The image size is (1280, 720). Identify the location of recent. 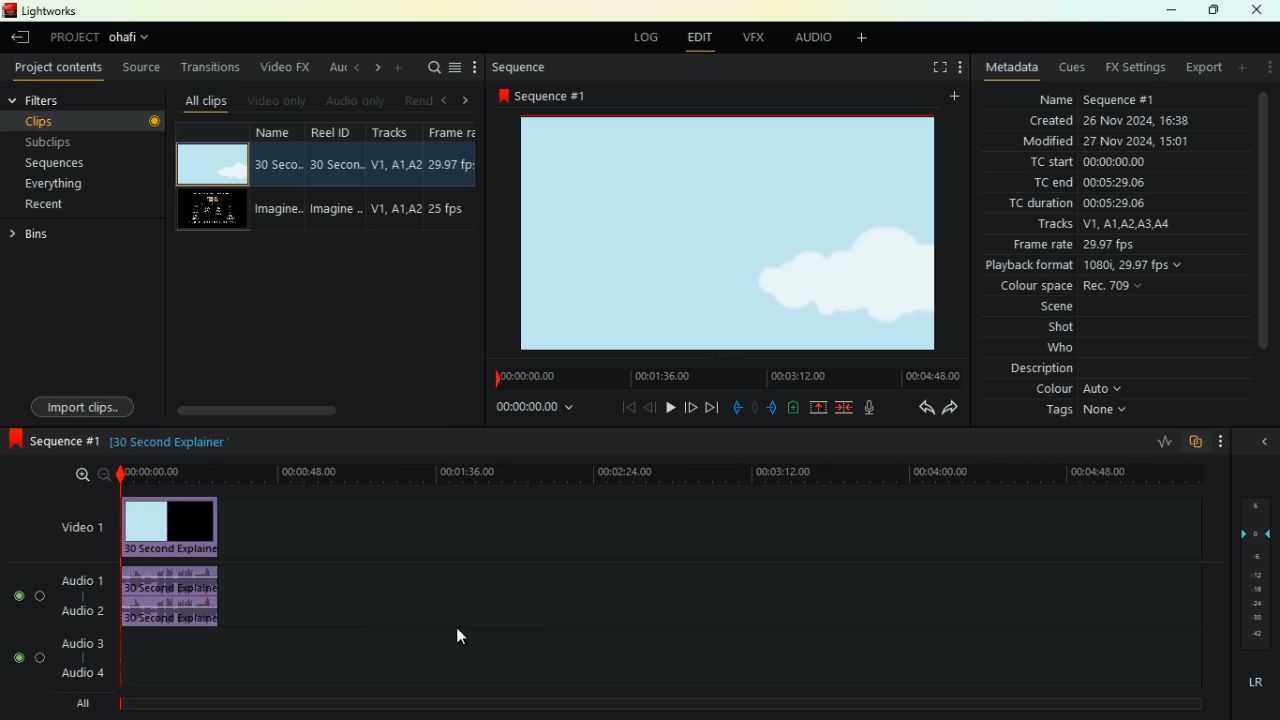
(56, 205).